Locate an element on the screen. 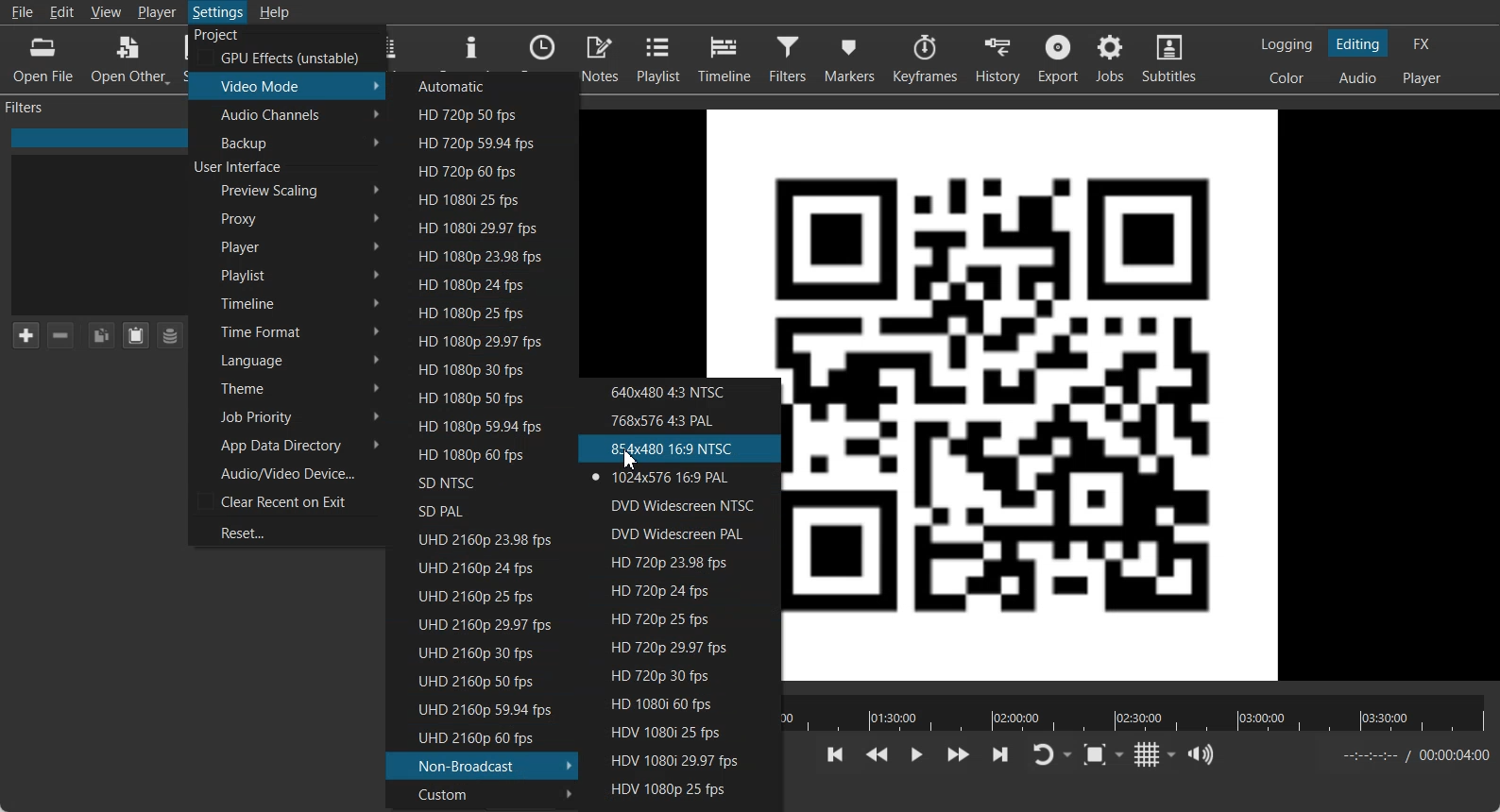 The height and width of the screenshot is (812, 1500). Switch to the Editing layout is located at coordinates (1359, 43).